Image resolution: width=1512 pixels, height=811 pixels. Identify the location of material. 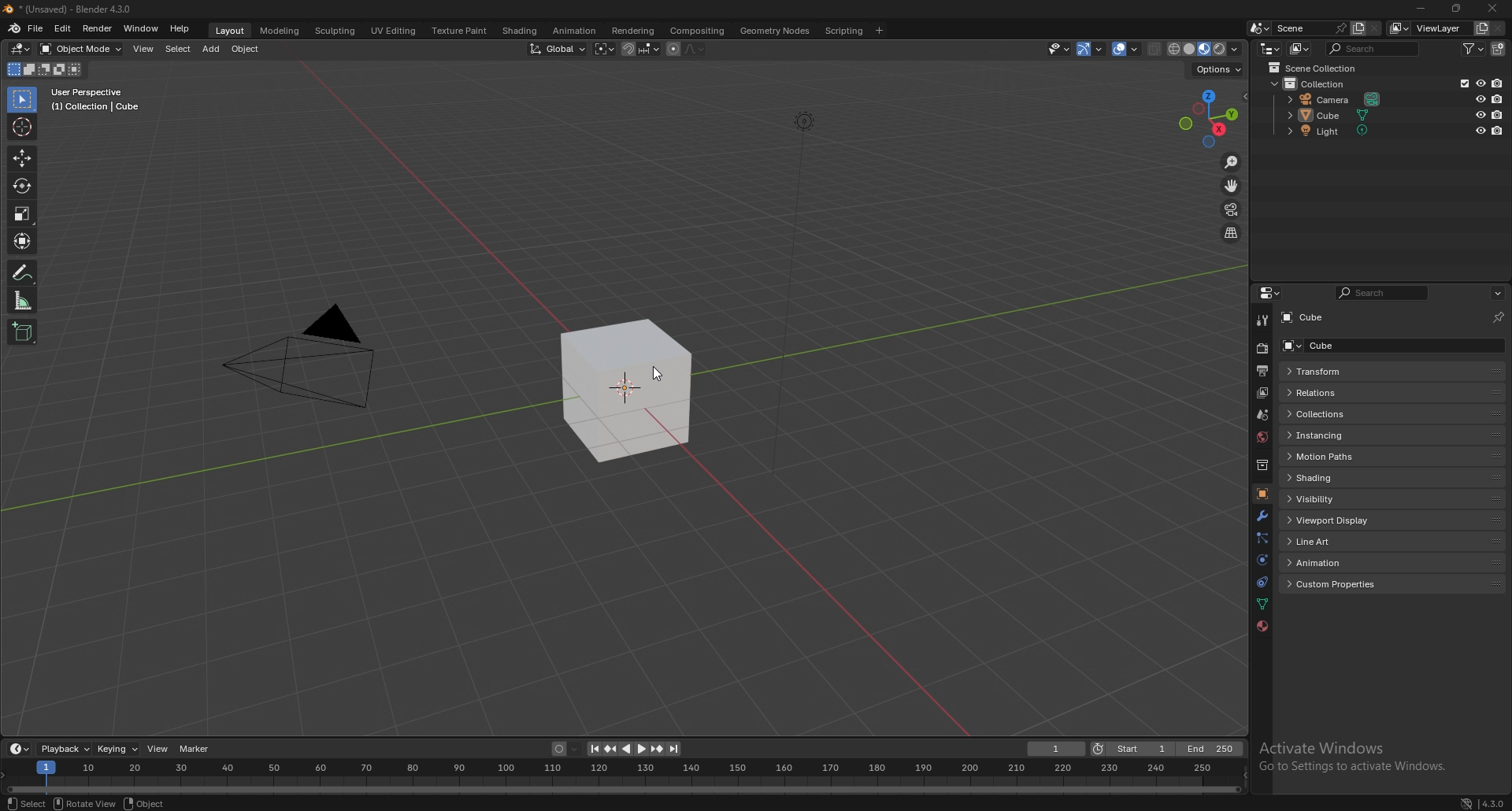
(1262, 624).